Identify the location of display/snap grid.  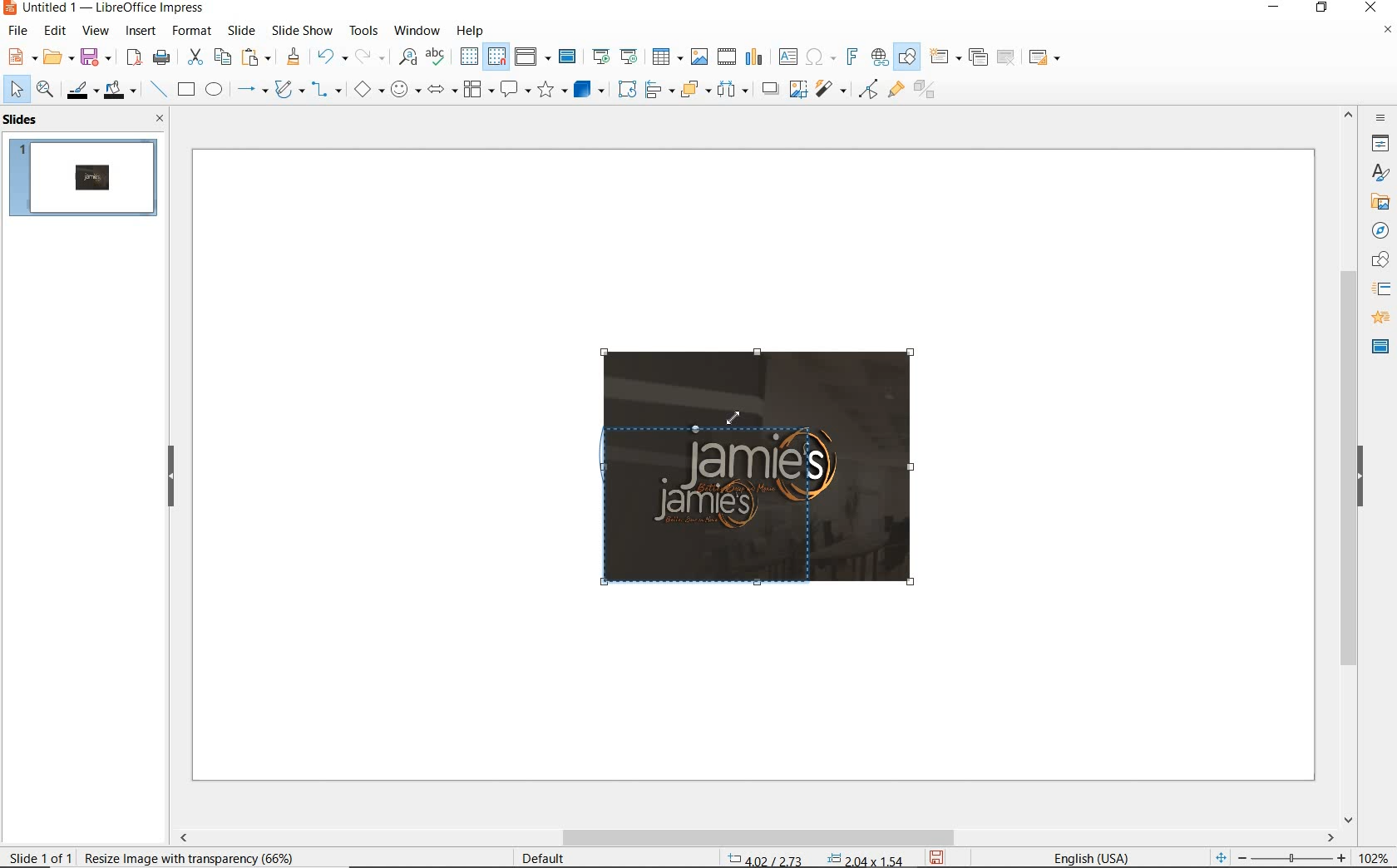
(481, 57).